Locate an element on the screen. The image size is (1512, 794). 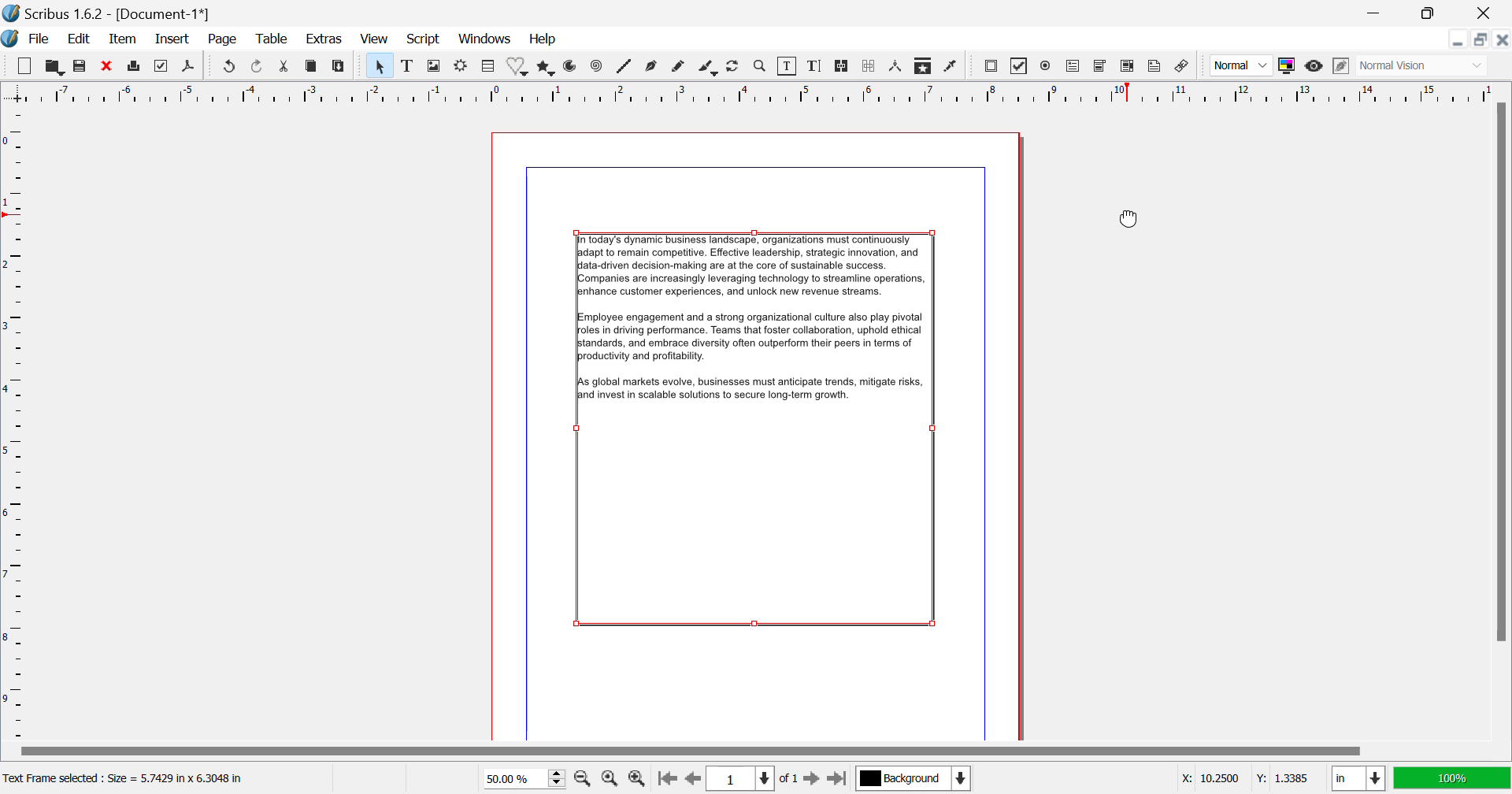
Edit Content in Frames is located at coordinates (787, 66).